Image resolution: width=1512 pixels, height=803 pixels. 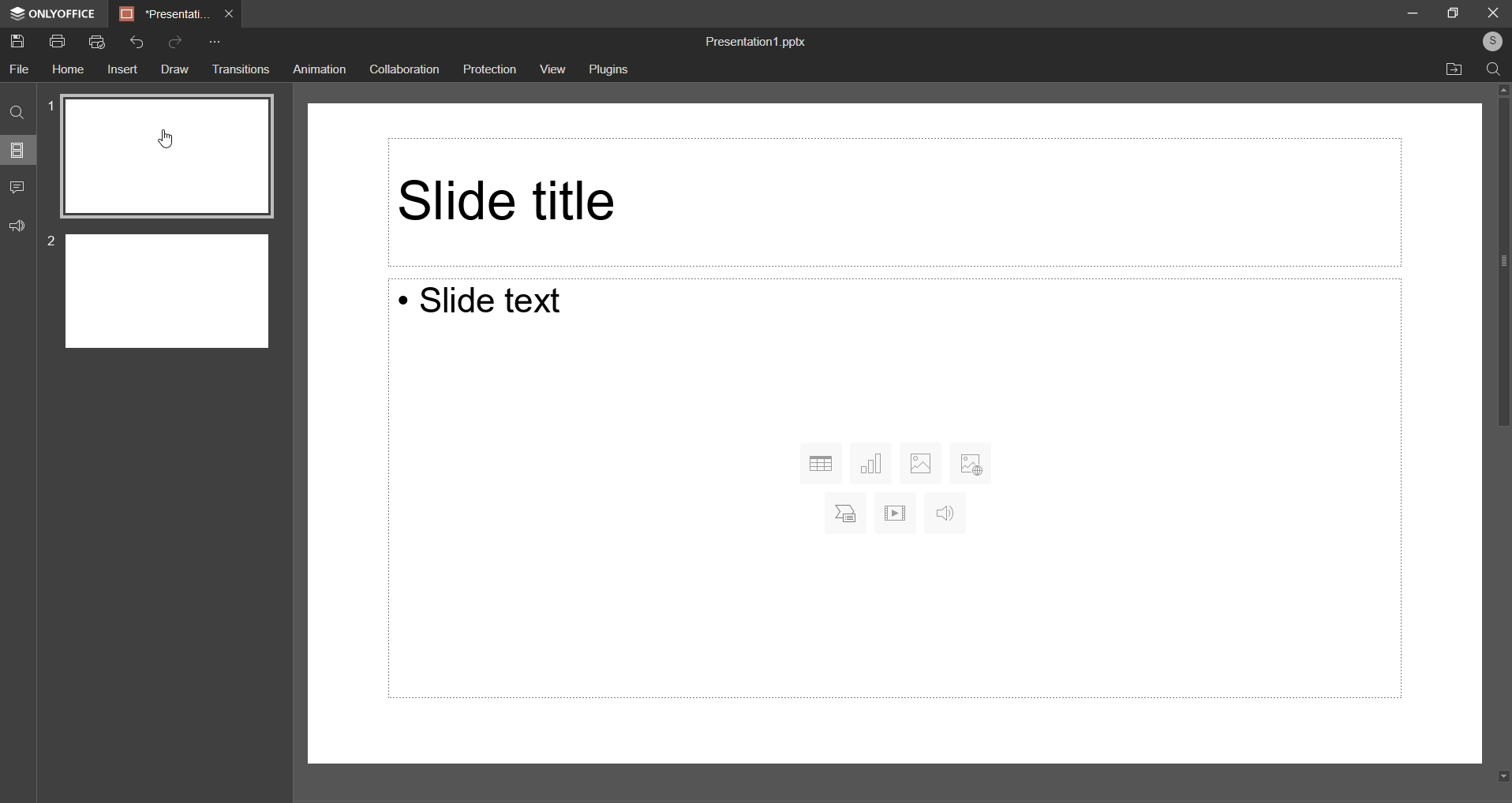 I want to click on login, so click(x=1488, y=41).